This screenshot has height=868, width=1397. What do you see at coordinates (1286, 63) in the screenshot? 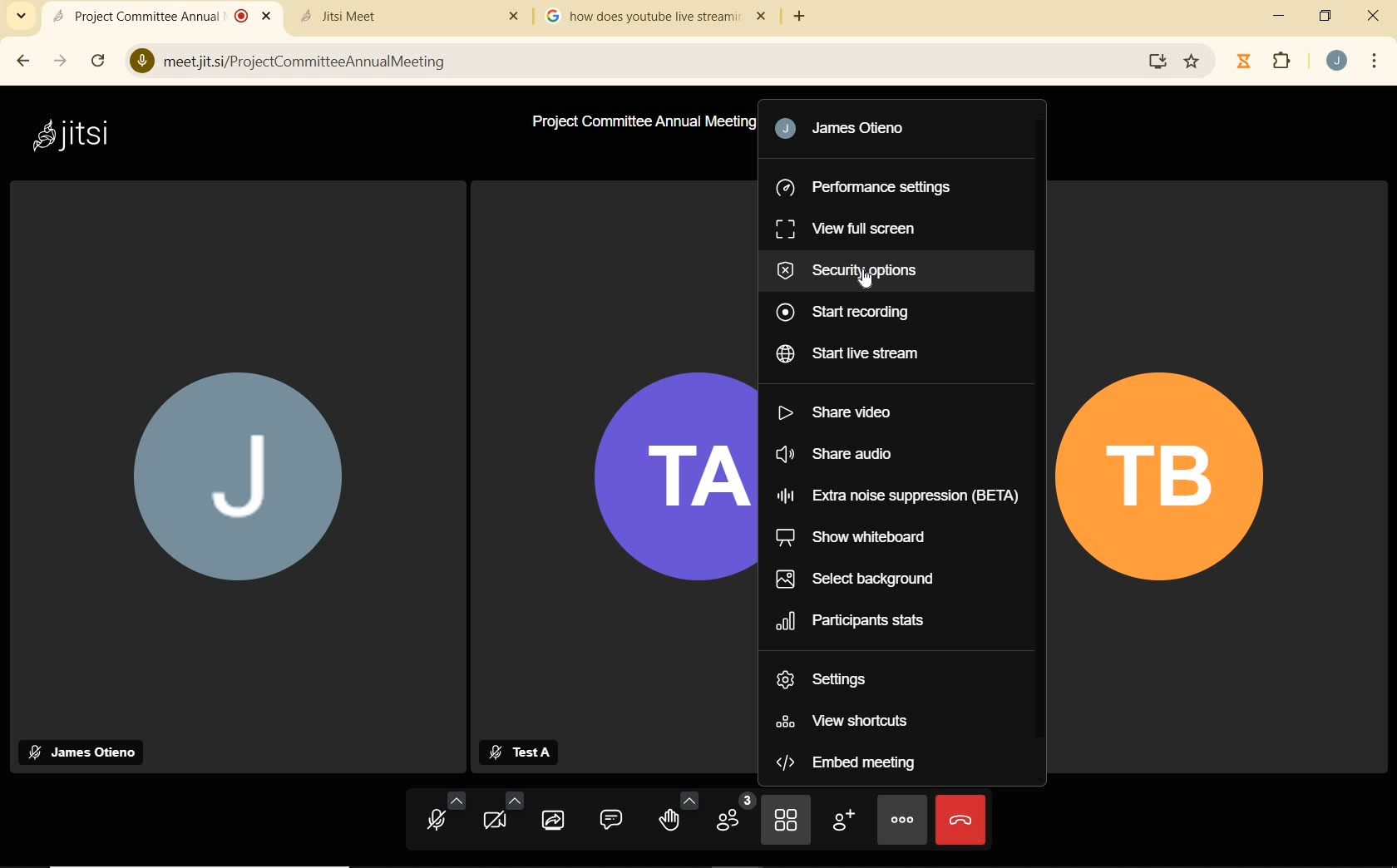
I see `EXTENSIONS` at bounding box center [1286, 63].